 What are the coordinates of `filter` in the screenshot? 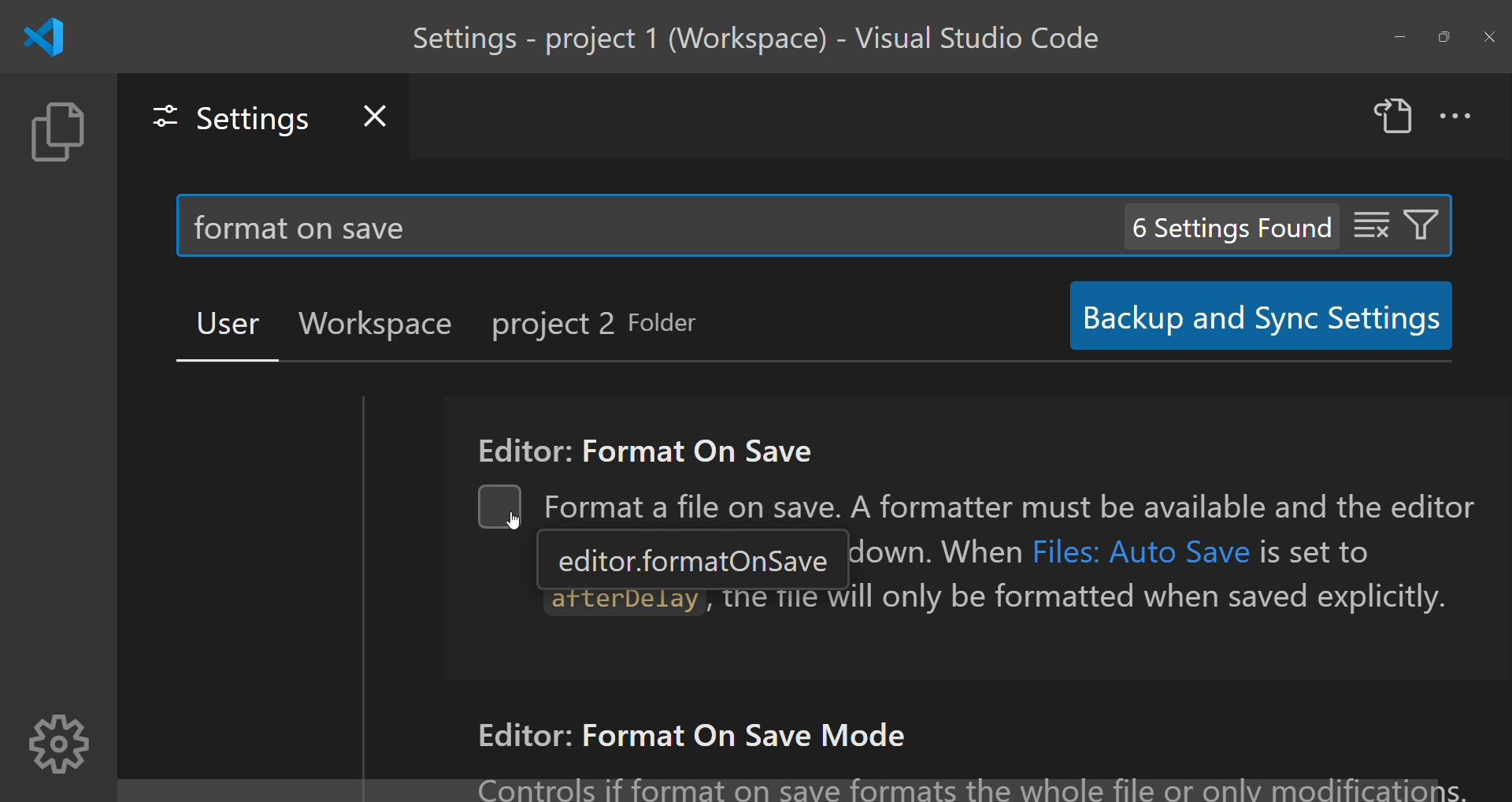 It's located at (1425, 221).